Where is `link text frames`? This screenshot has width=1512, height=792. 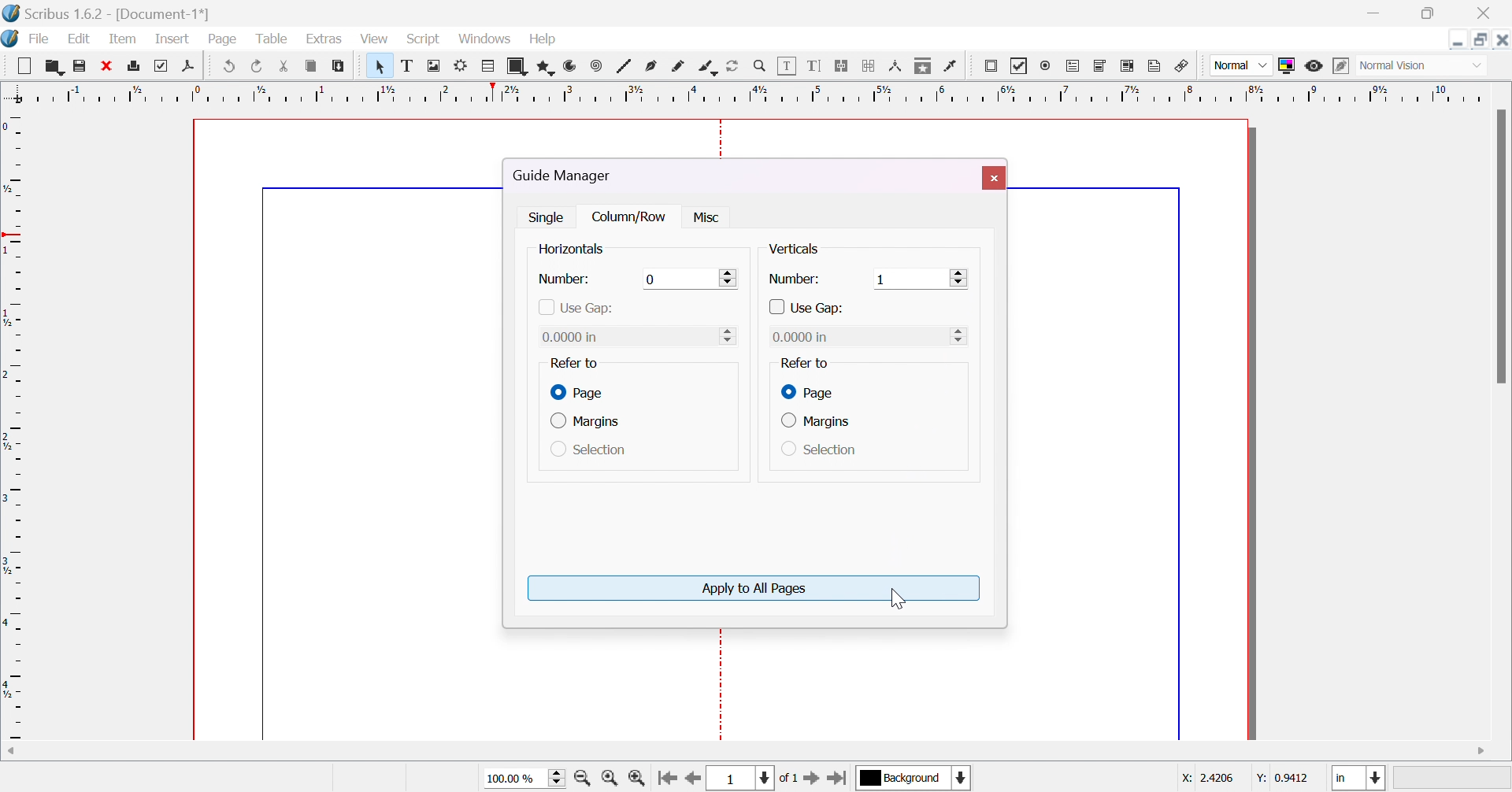 link text frames is located at coordinates (844, 67).